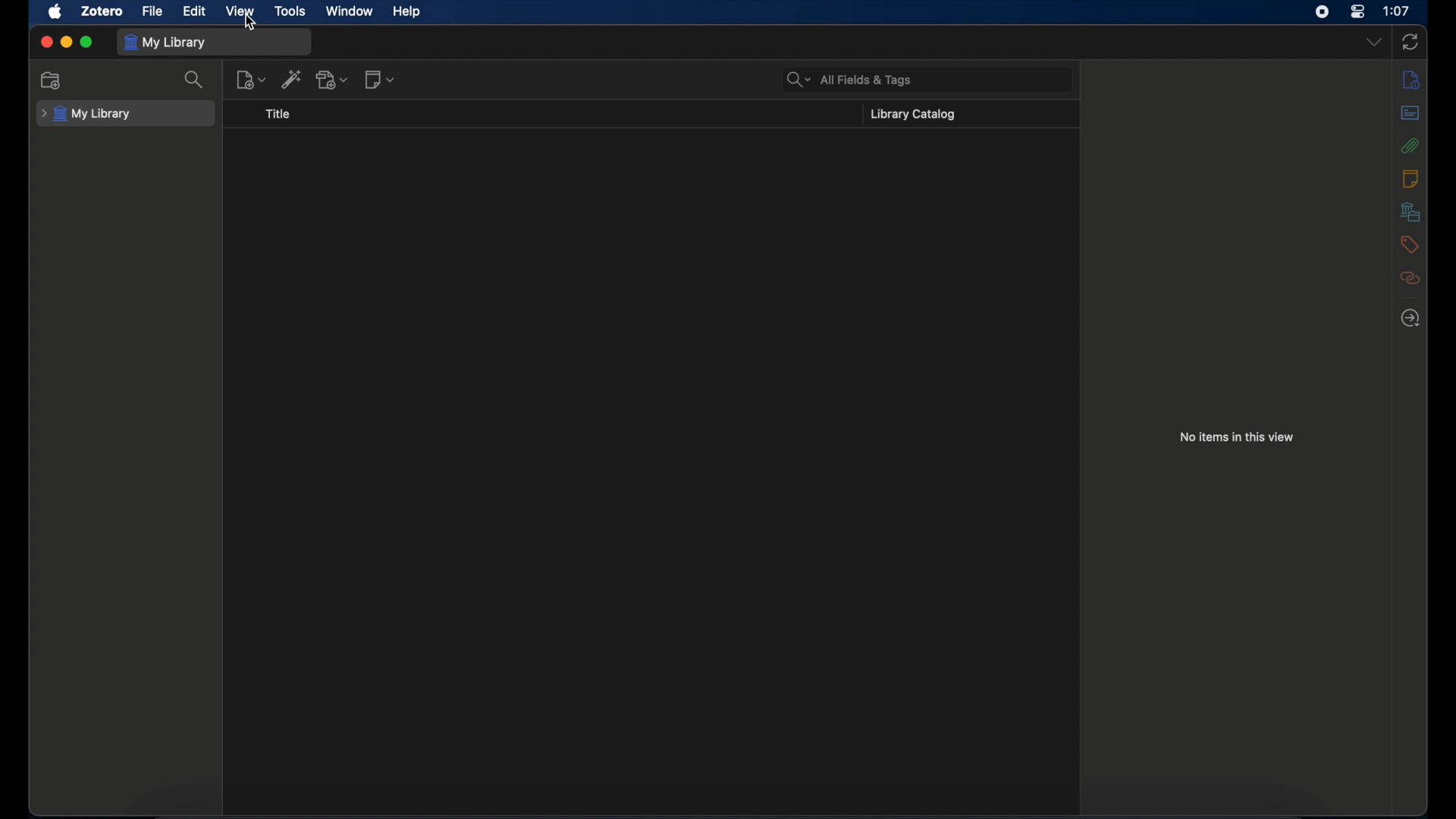 This screenshot has height=819, width=1456. Describe the element at coordinates (290, 11) in the screenshot. I see `tools` at that location.